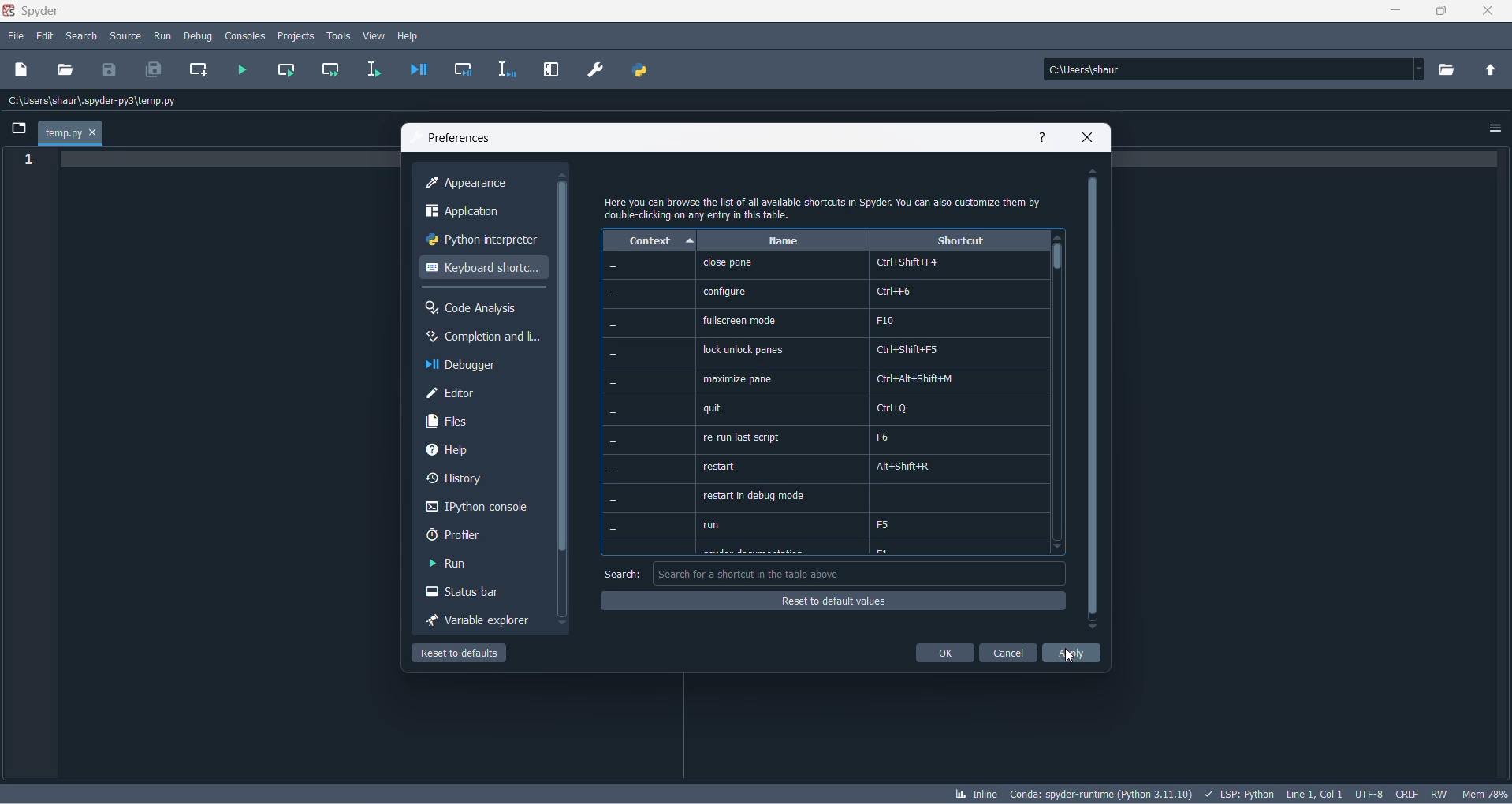 The image size is (1512, 804). What do you see at coordinates (32, 161) in the screenshot?
I see `line number` at bounding box center [32, 161].